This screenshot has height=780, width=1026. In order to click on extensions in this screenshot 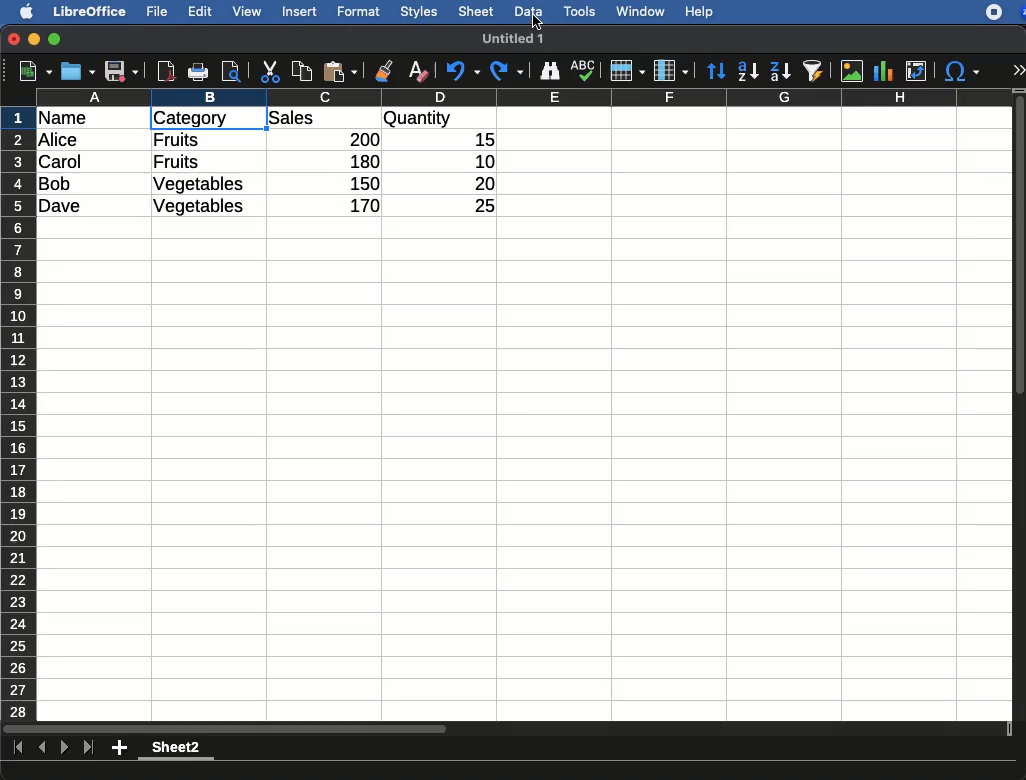, I will do `click(1005, 12)`.